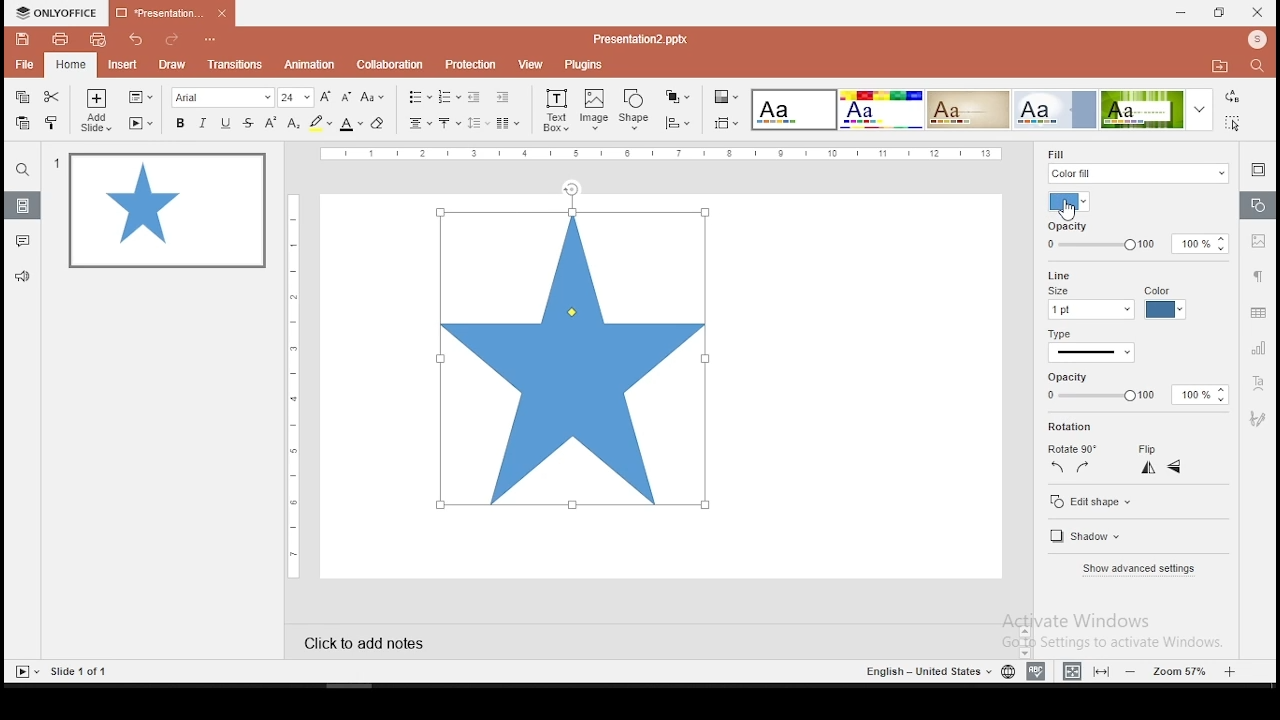 The width and height of the screenshot is (1280, 720). What do you see at coordinates (1069, 201) in the screenshot?
I see `fill color` at bounding box center [1069, 201].